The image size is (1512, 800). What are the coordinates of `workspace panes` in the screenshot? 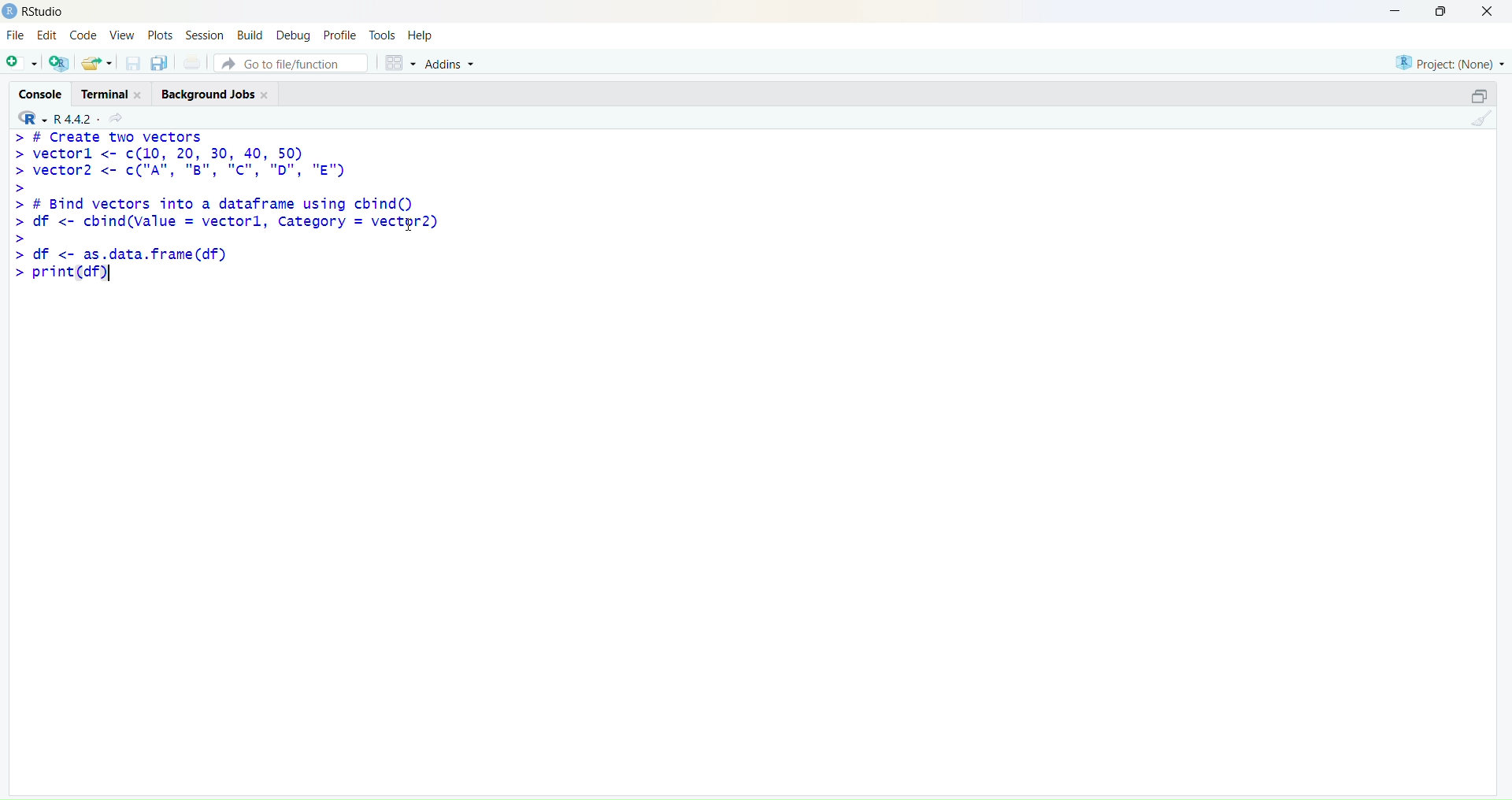 It's located at (399, 64).